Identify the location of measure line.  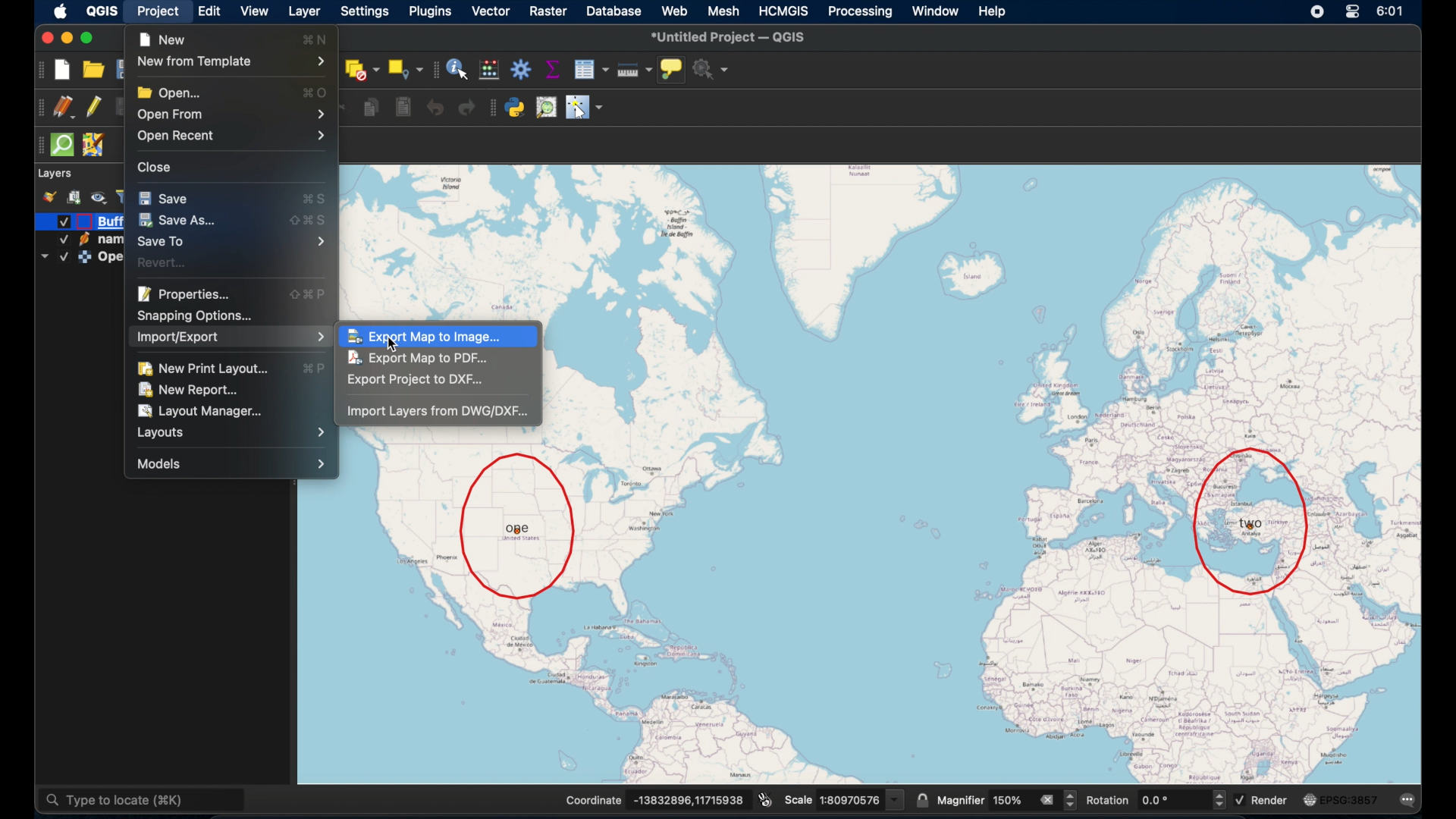
(633, 68).